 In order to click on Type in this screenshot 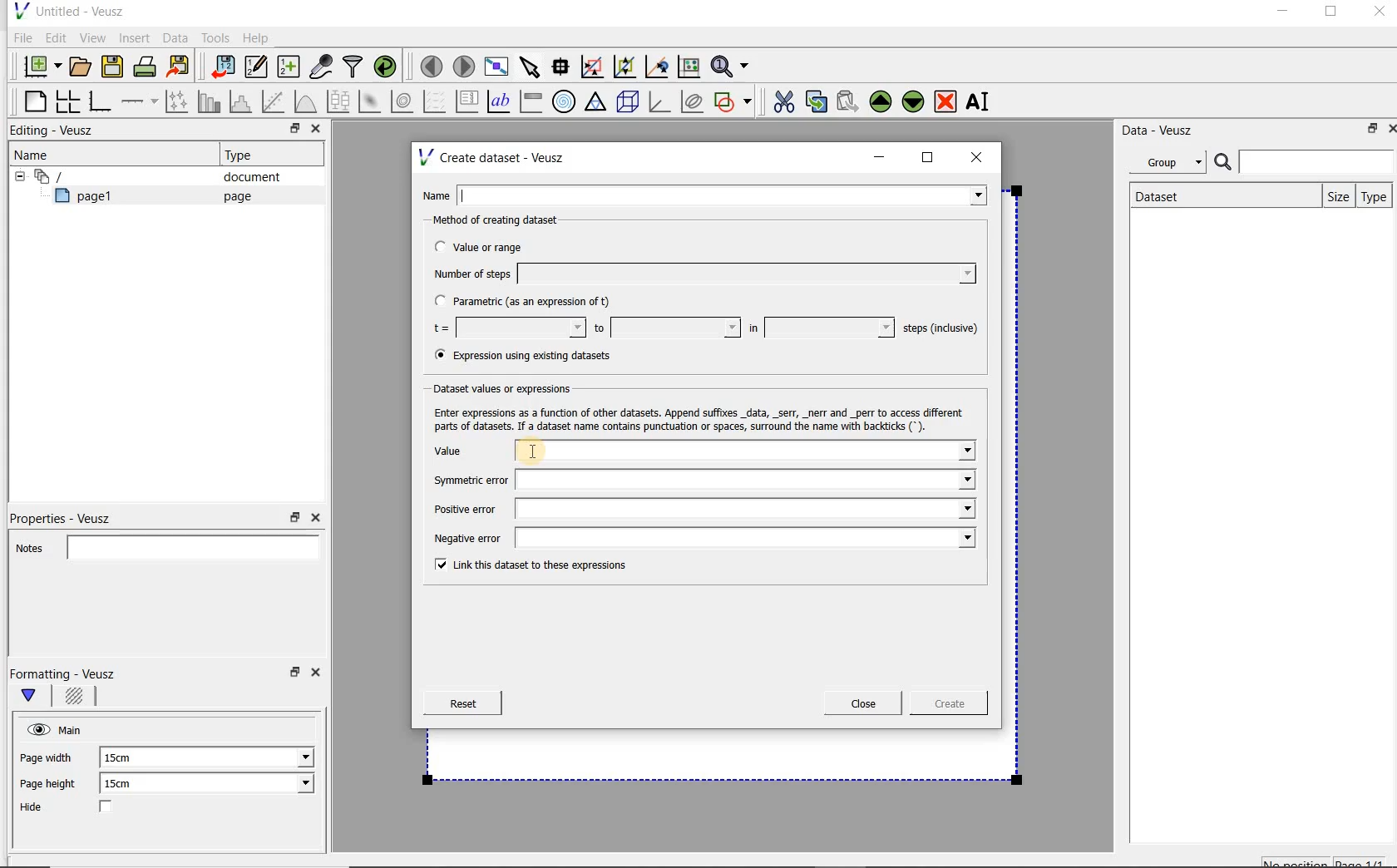, I will do `click(245, 155)`.